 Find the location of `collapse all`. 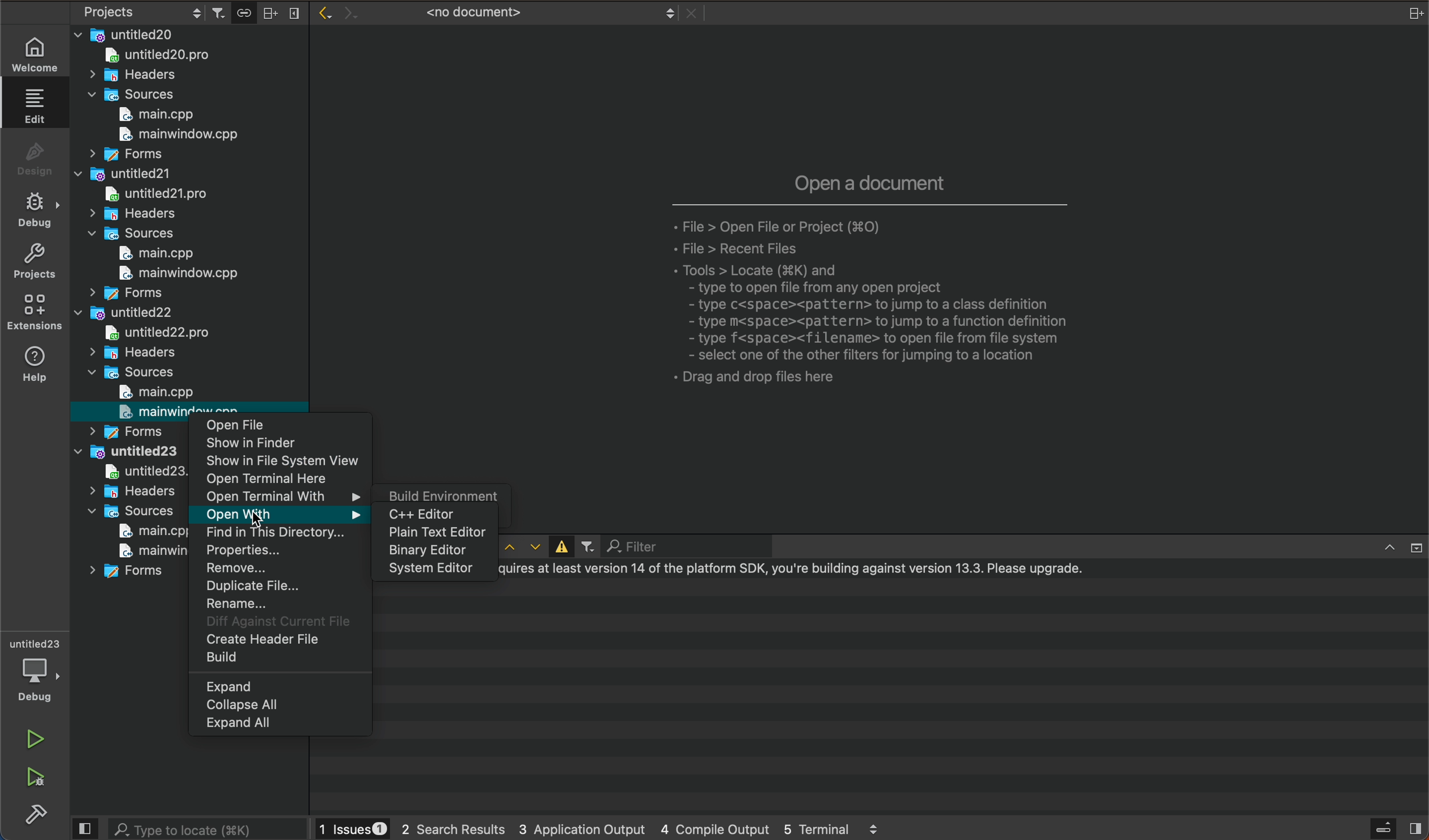

collapse all is located at coordinates (280, 705).